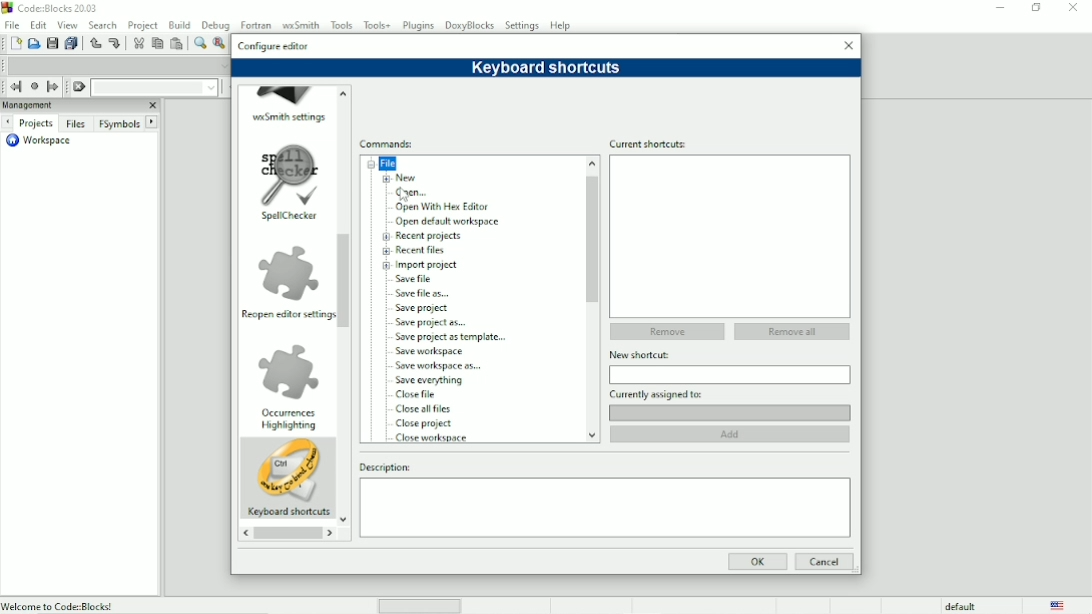 The width and height of the screenshot is (1092, 614). I want to click on Current shortcuts, so click(729, 143).